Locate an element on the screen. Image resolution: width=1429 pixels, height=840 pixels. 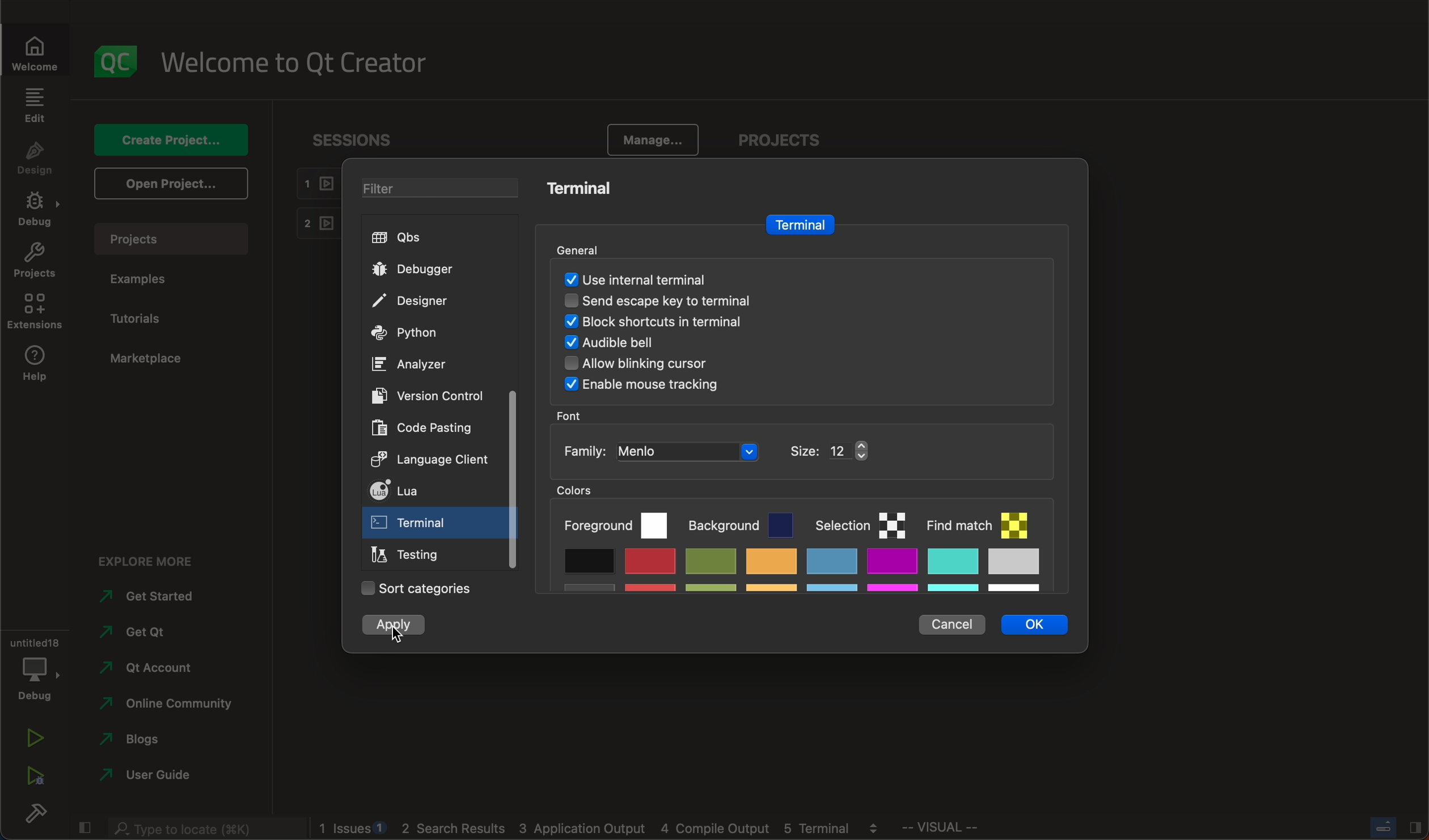
guide is located at coordinates (151, 773).